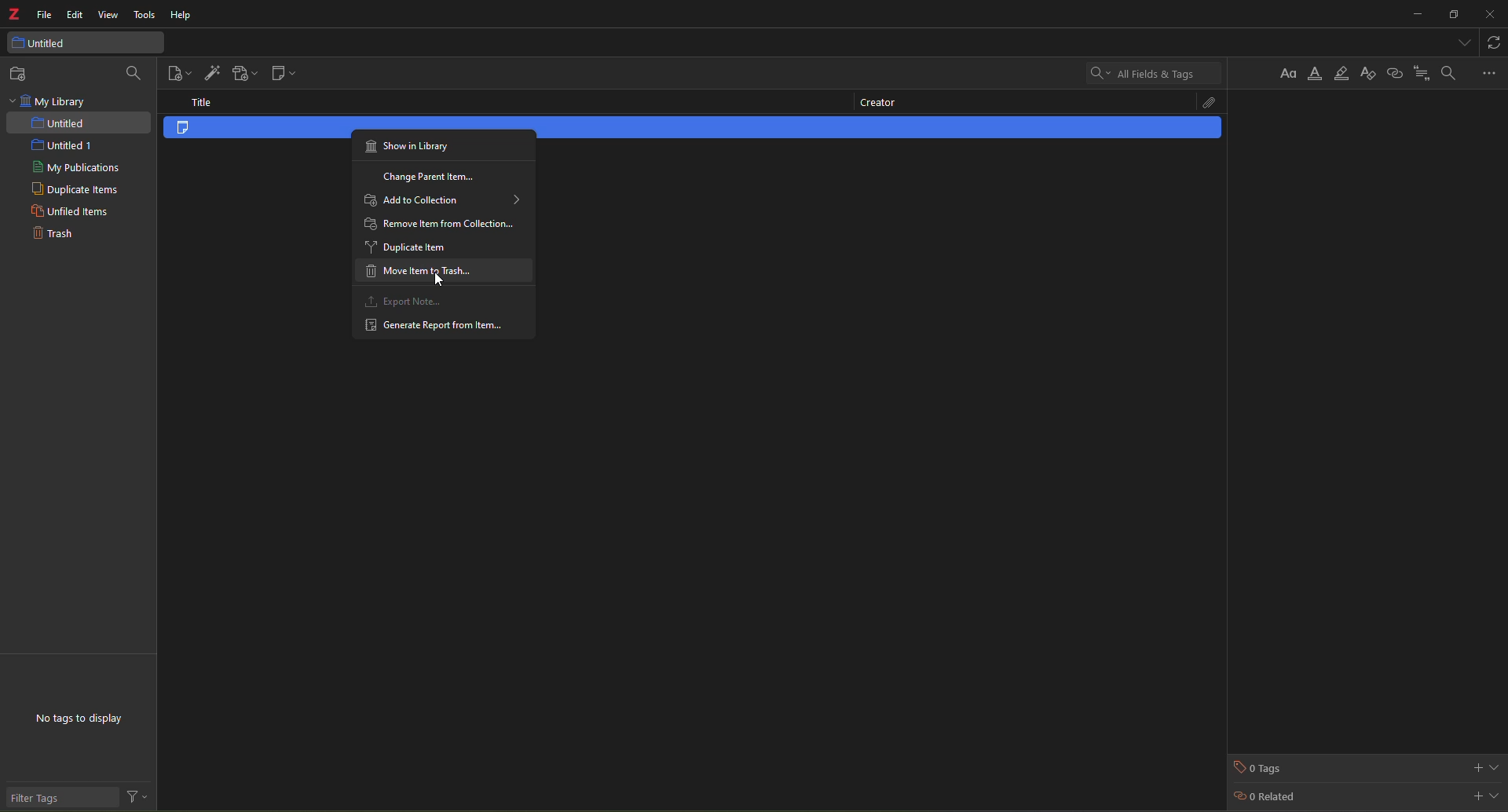 This screenshot has width=1508, height=812. Describe the element at coordinates (183, 17) in the screenshot. I see `help` at that location.